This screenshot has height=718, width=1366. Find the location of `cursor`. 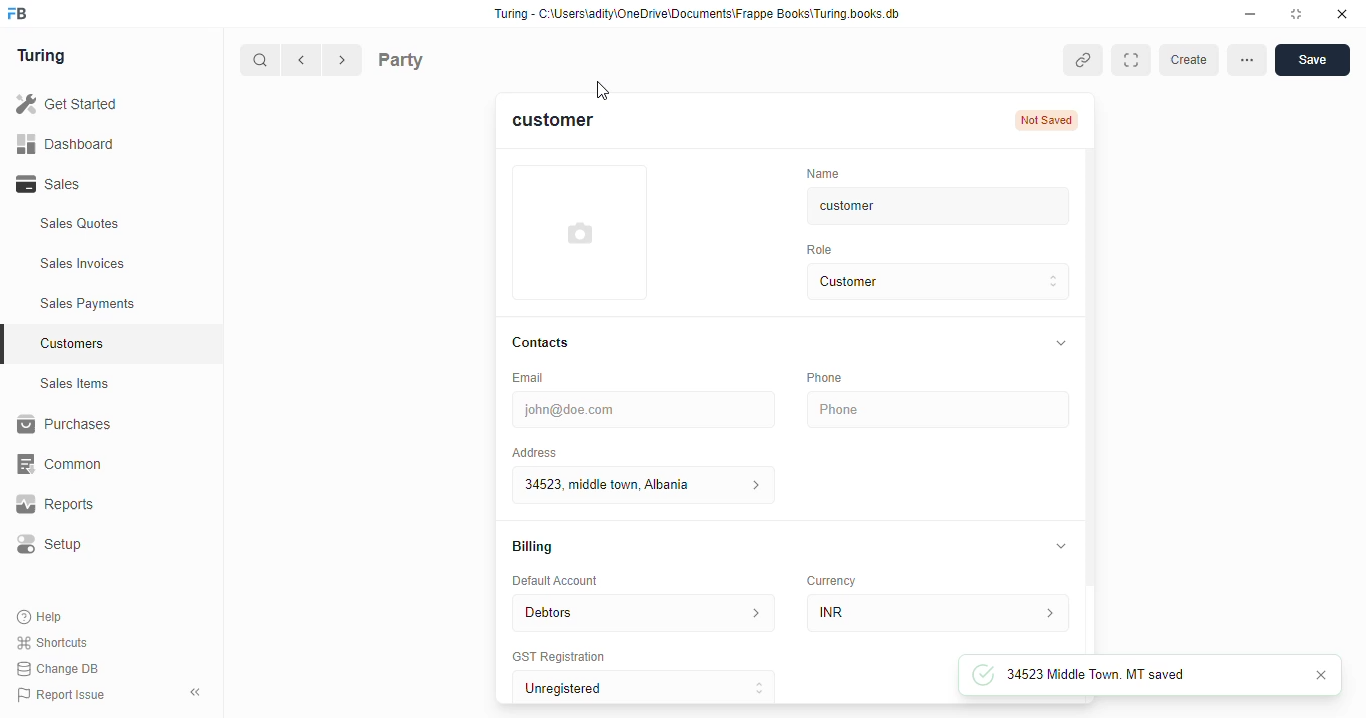

cursor is located at coordinates (606, 90).